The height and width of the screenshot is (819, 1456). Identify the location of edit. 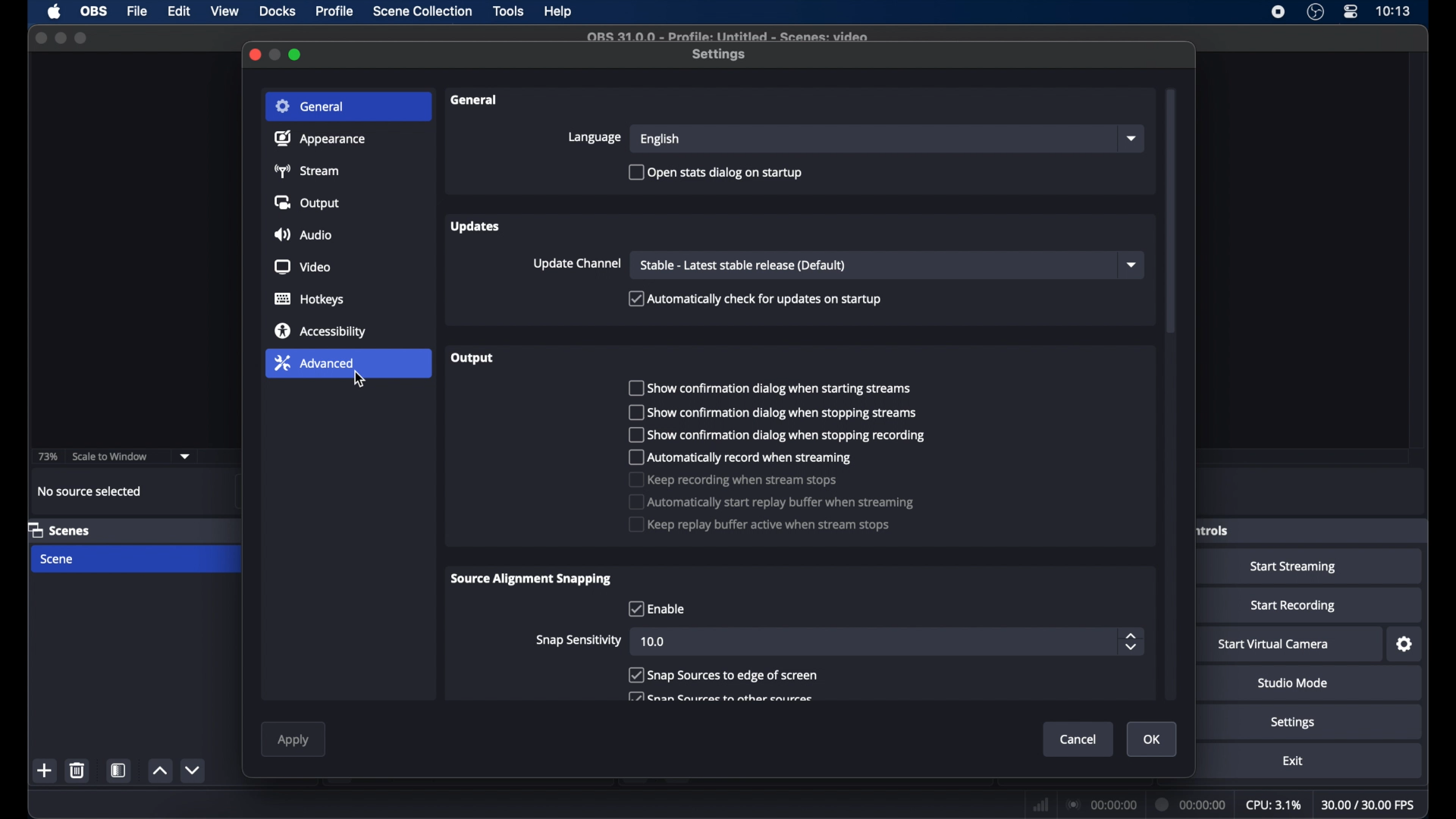
(178, 11).